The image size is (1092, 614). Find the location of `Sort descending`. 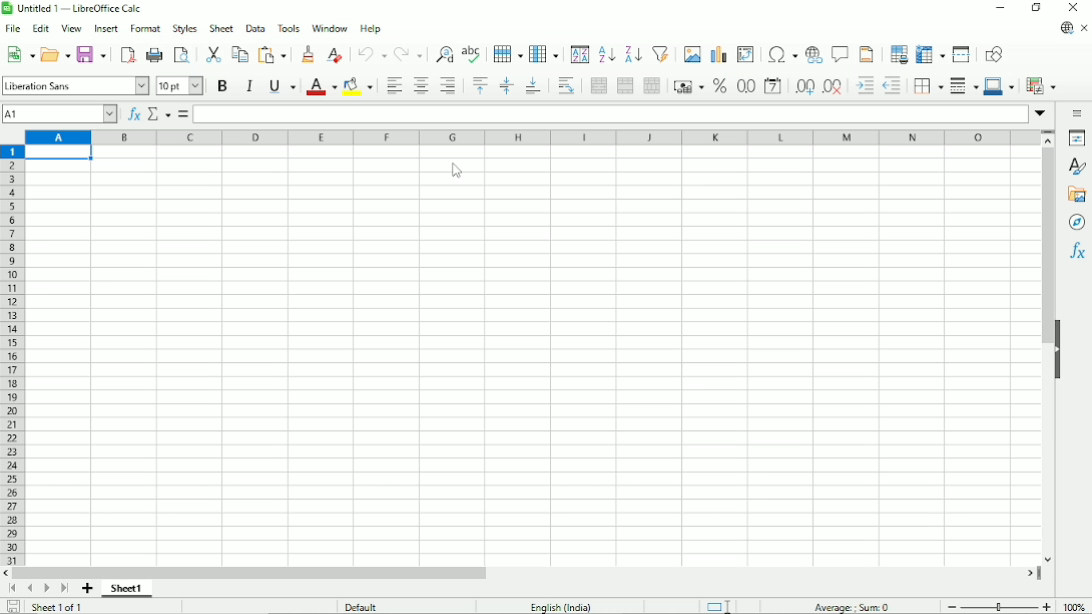

Sort descending is located at coordinates (631, 53).